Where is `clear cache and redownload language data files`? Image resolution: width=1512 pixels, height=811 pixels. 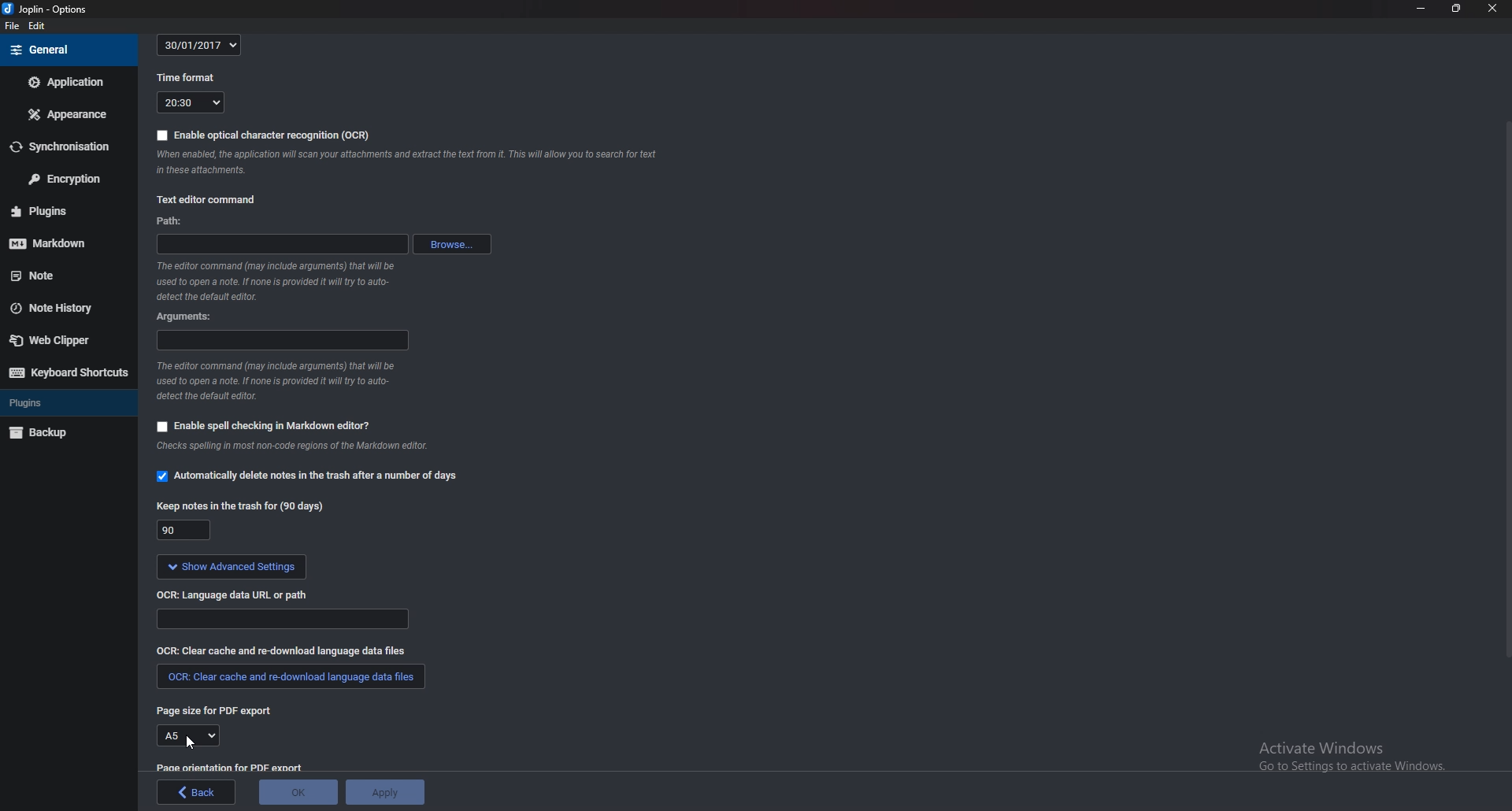 clear cache and redownload language data files is located at coordinates (288, 680).